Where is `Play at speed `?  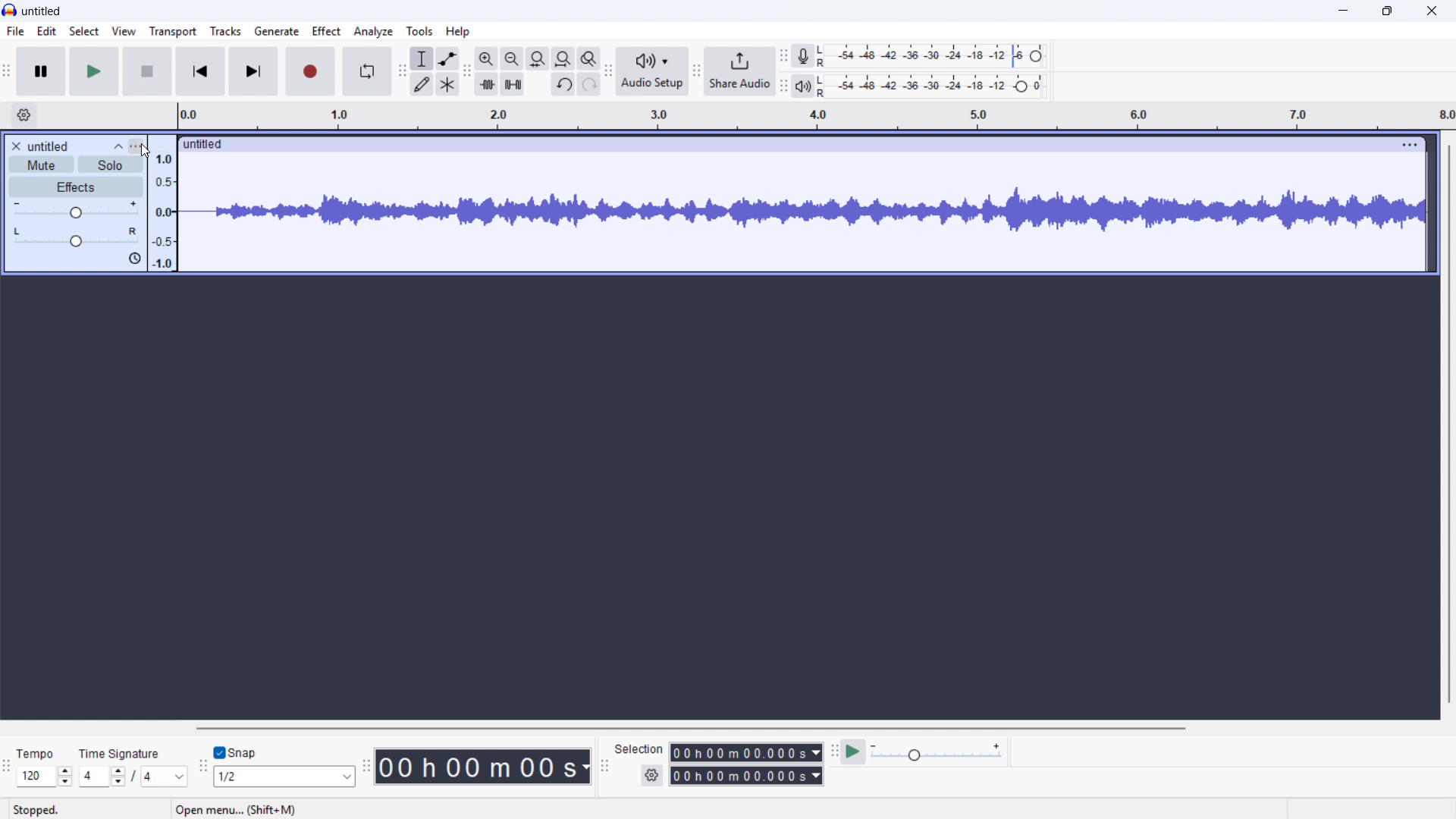 Play at speed  is located at coordinates (854, 751).